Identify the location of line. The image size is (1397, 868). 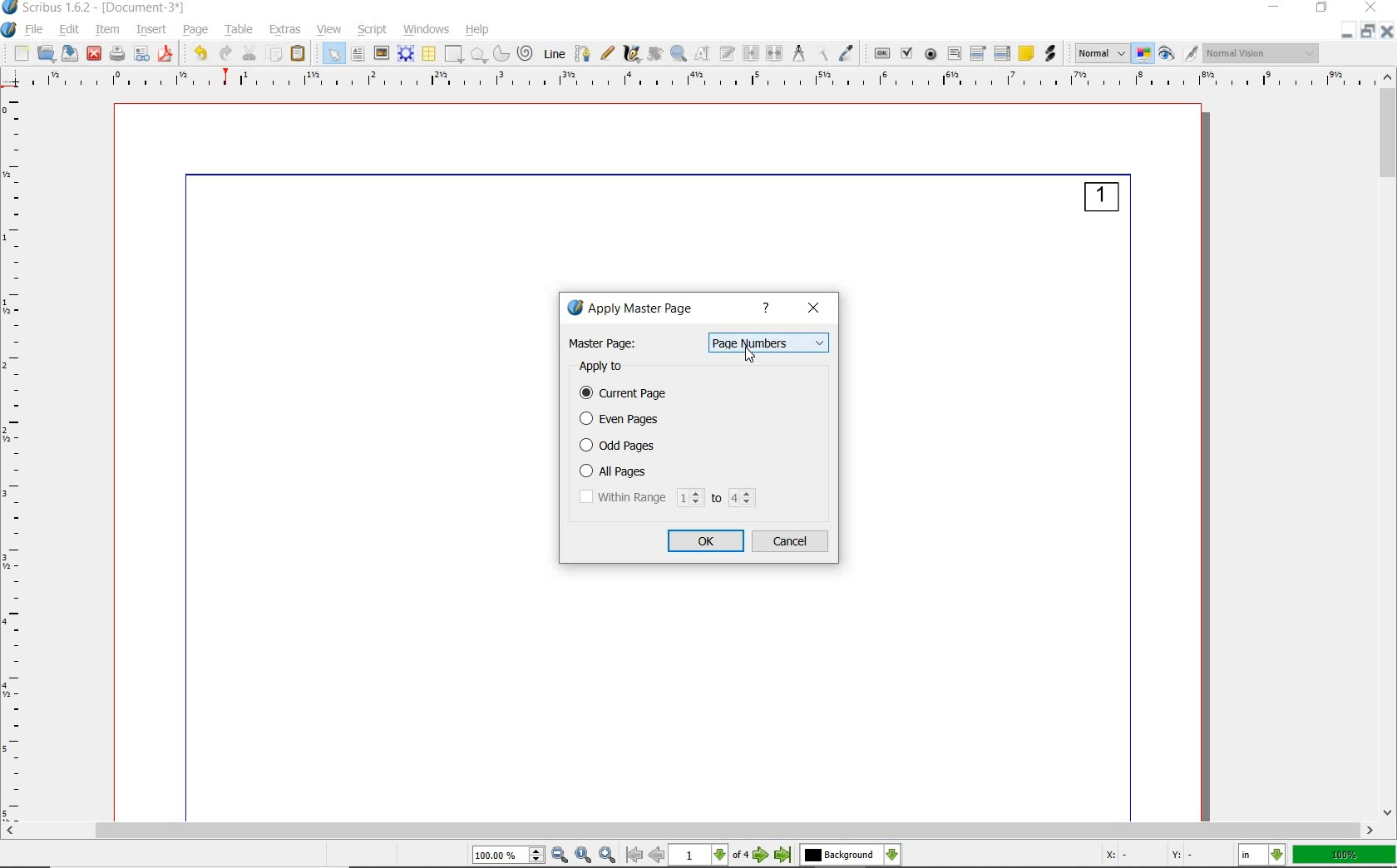
(554, 54).